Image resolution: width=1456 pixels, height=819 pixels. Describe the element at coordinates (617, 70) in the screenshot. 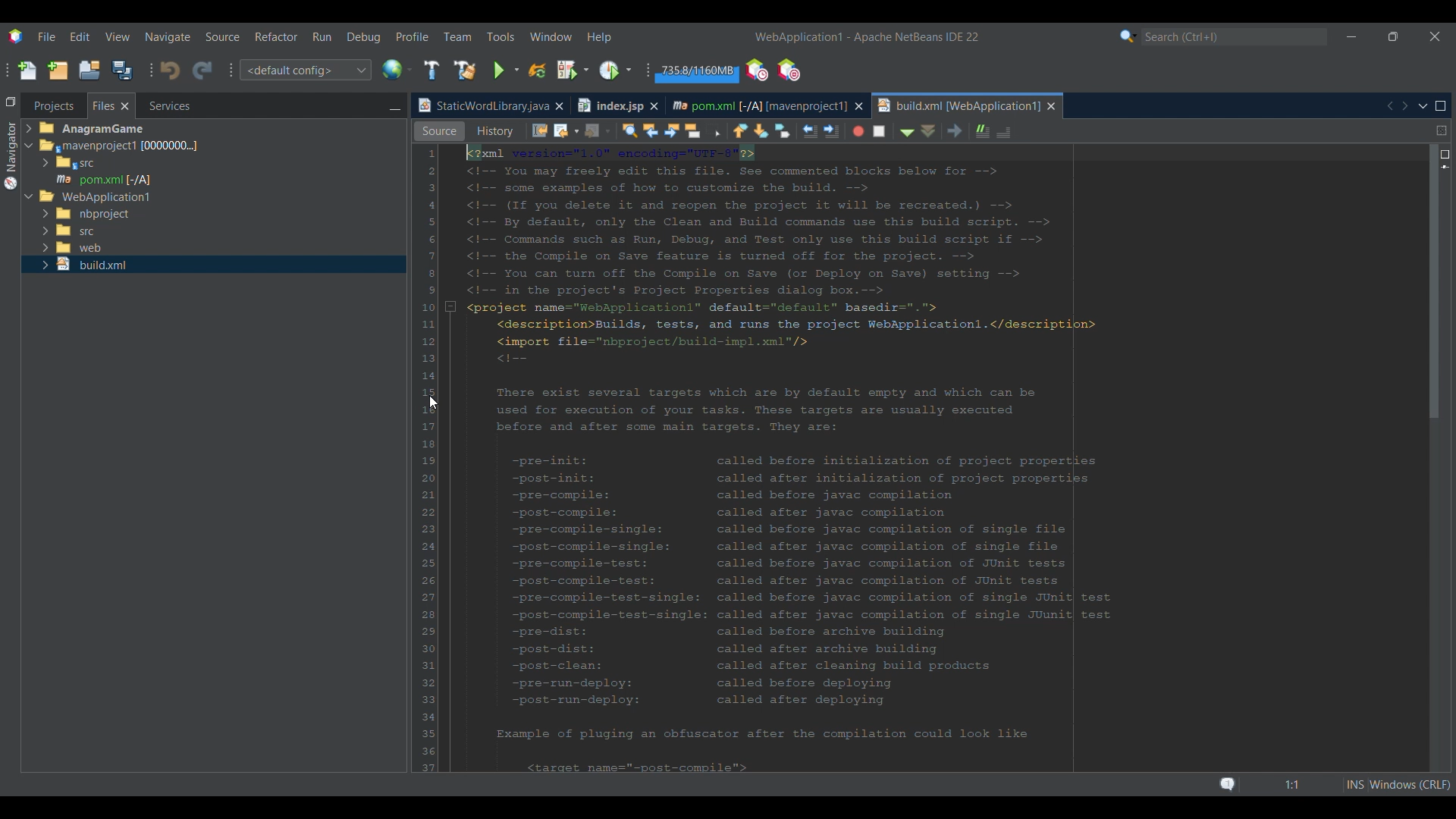

I see `Profile main project options` at that location.